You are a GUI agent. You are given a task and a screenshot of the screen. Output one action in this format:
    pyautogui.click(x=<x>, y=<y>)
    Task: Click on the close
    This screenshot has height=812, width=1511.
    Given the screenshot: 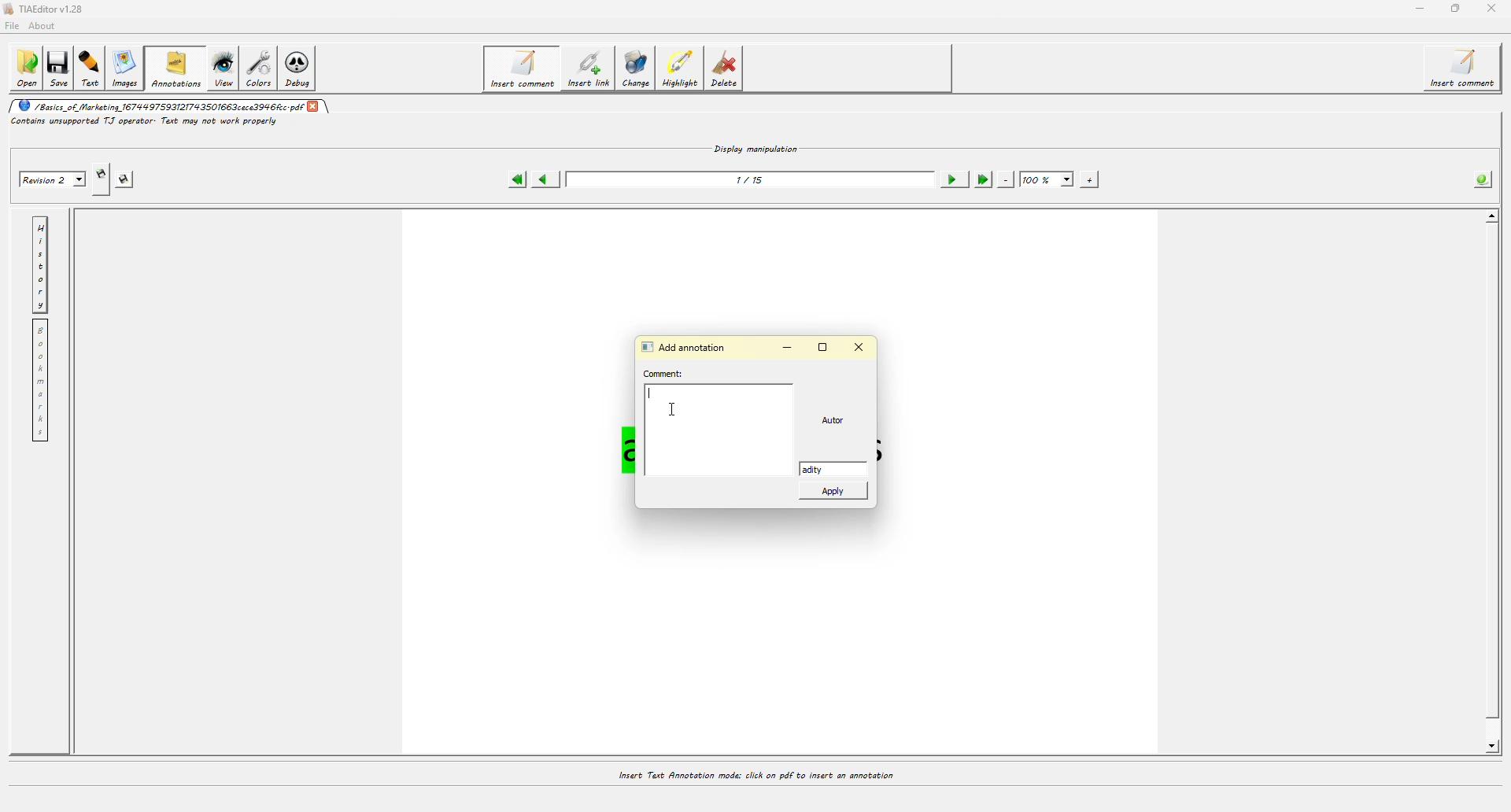 What is the action you would take?
    pyautogui.click(x=313, y=105)
    